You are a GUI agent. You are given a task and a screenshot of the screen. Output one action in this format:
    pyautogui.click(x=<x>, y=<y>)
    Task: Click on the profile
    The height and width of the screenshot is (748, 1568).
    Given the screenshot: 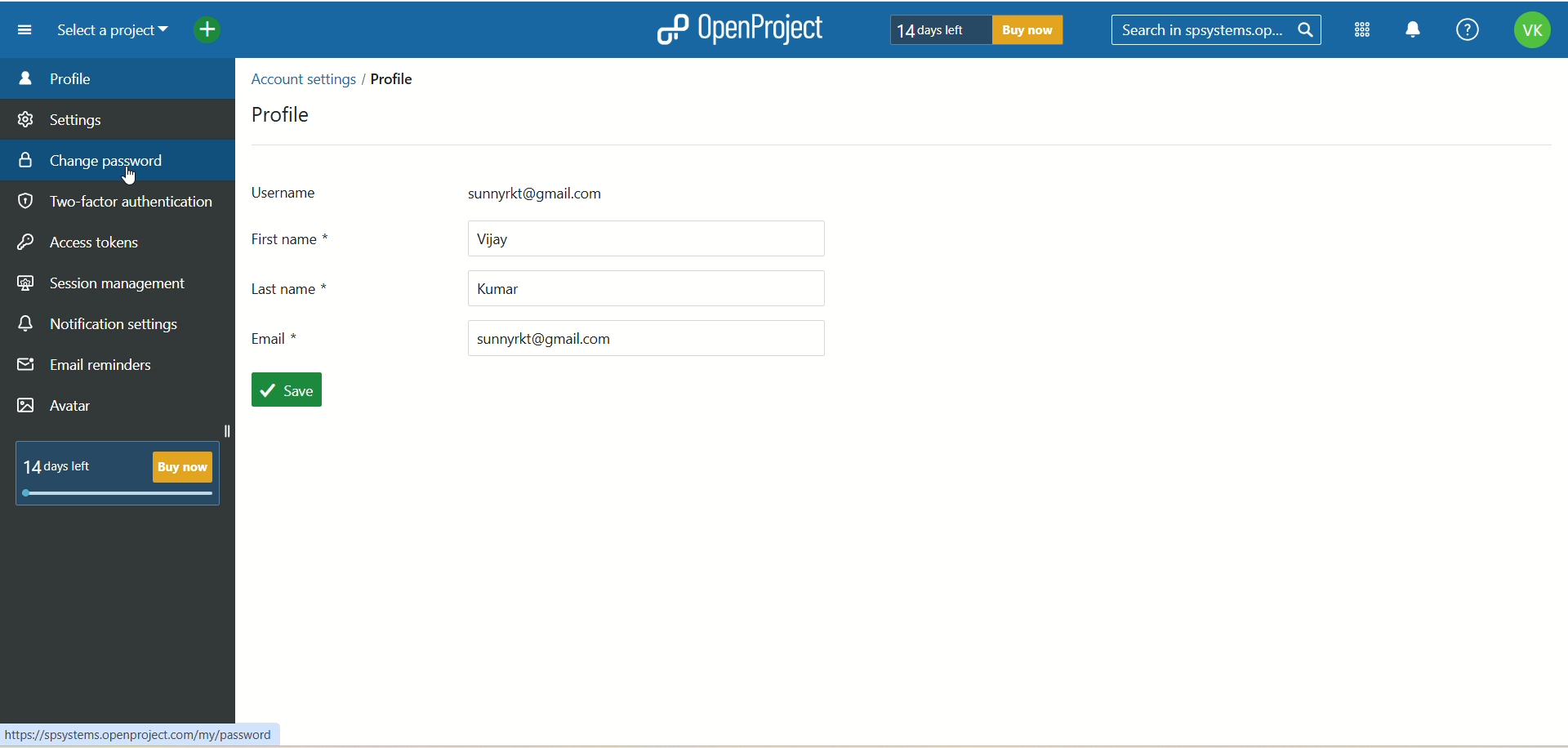 What is the action you would take?
    pyautogui.click(x=118, y=78)
    